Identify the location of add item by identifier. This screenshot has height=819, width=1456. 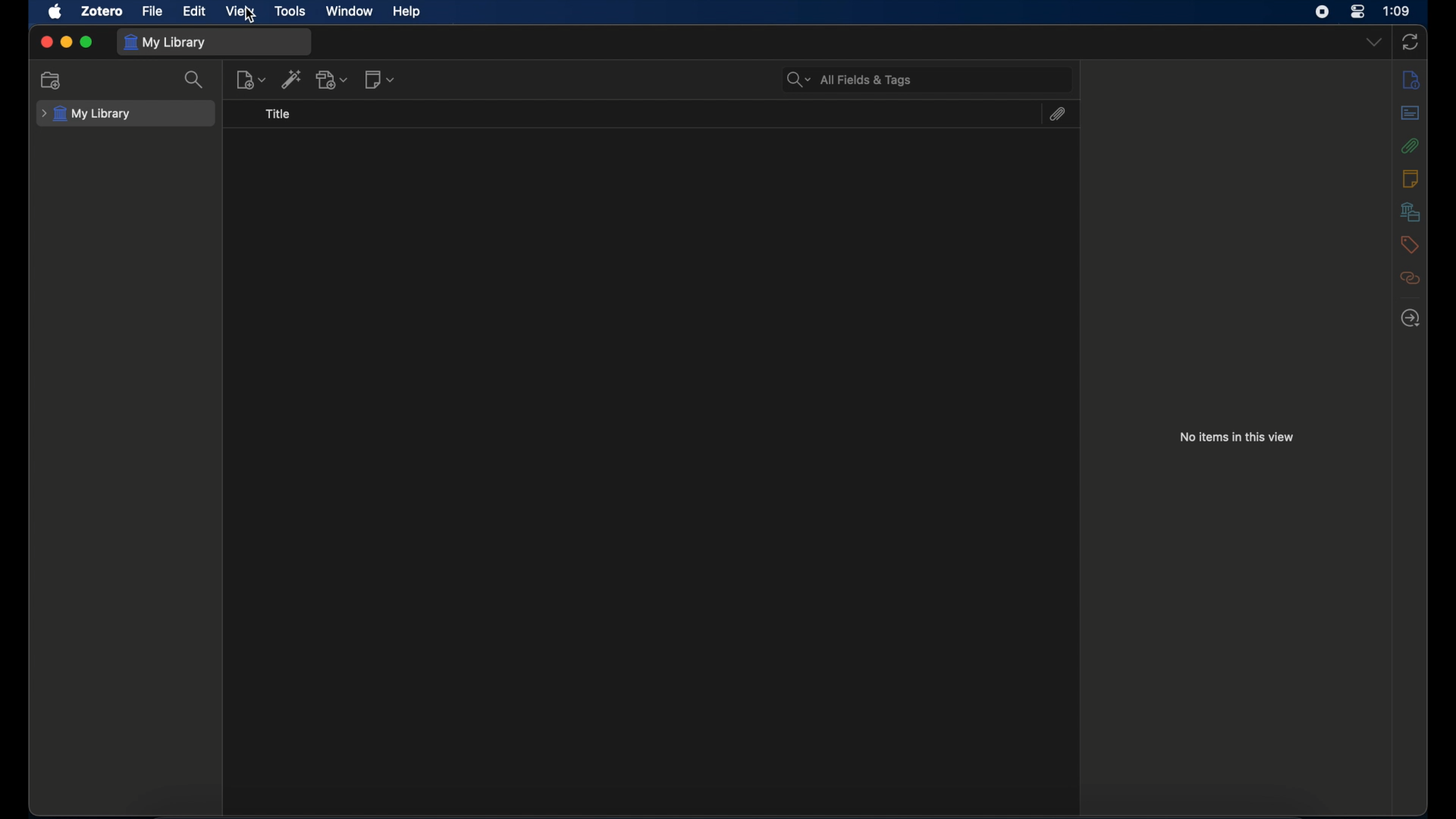
(291, 79).